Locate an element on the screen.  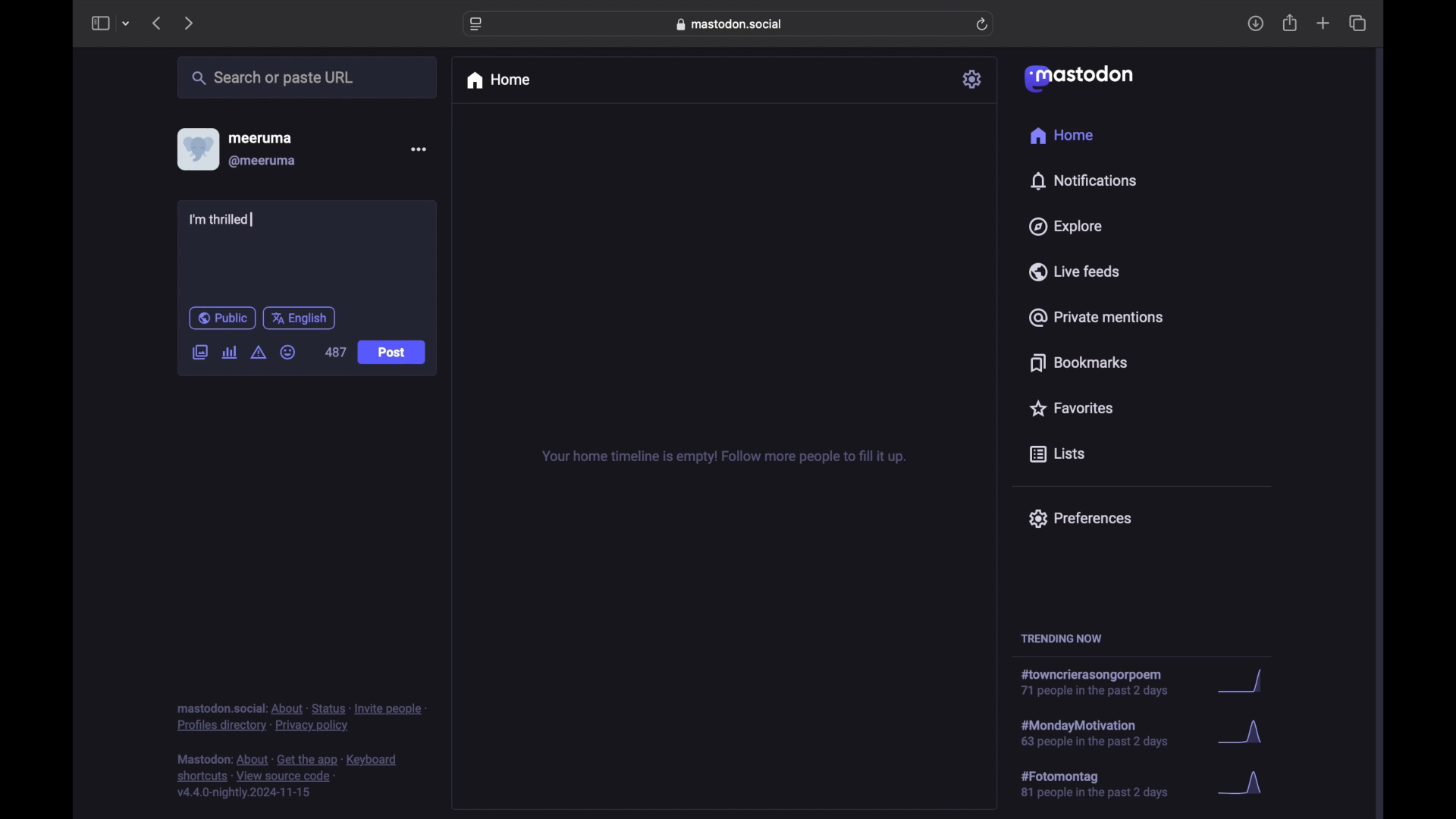
show tab overview is located at coordinates (1359, 23).